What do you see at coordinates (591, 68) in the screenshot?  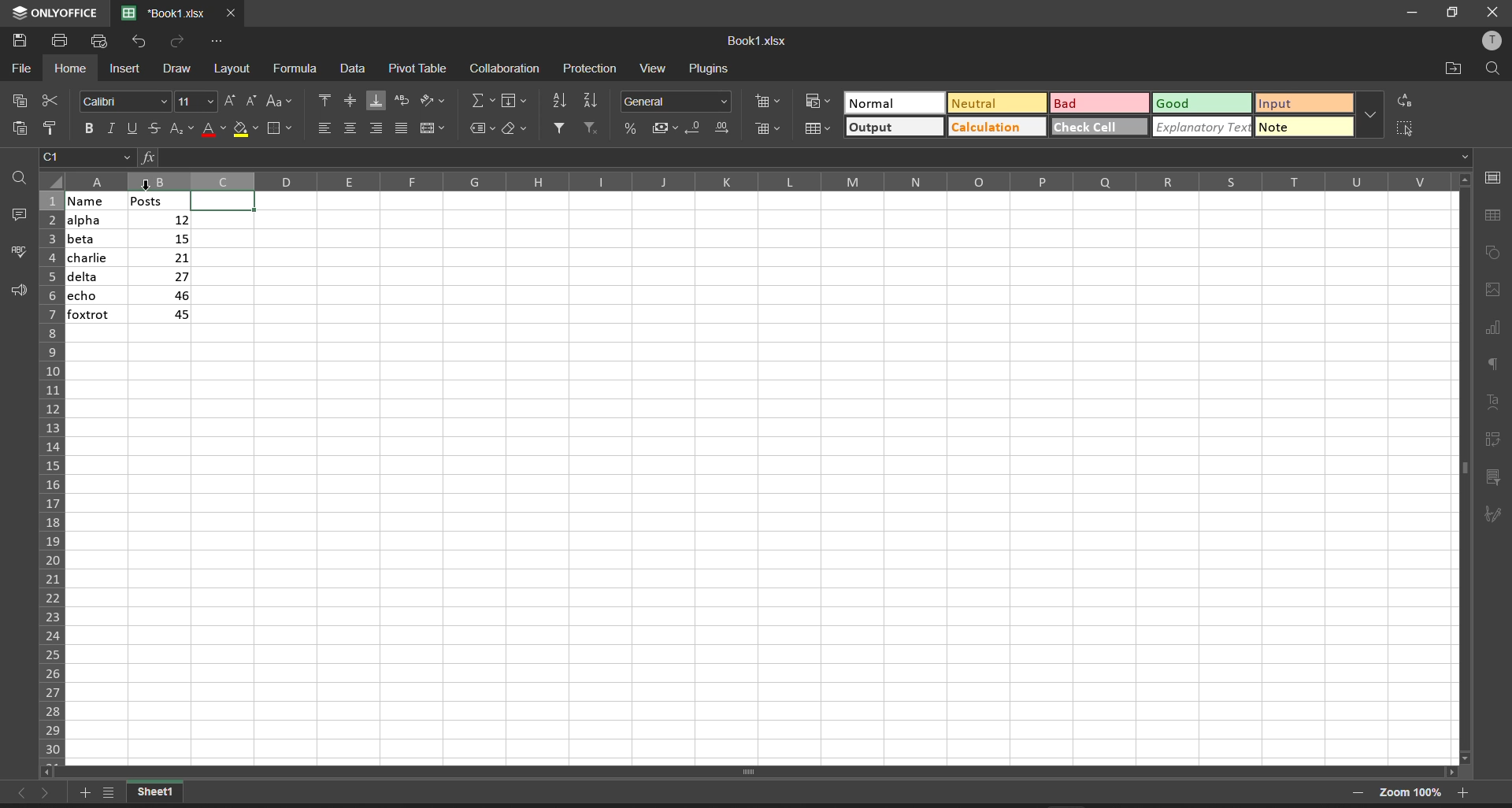 I see `protection` at bounding box center [591, 68].